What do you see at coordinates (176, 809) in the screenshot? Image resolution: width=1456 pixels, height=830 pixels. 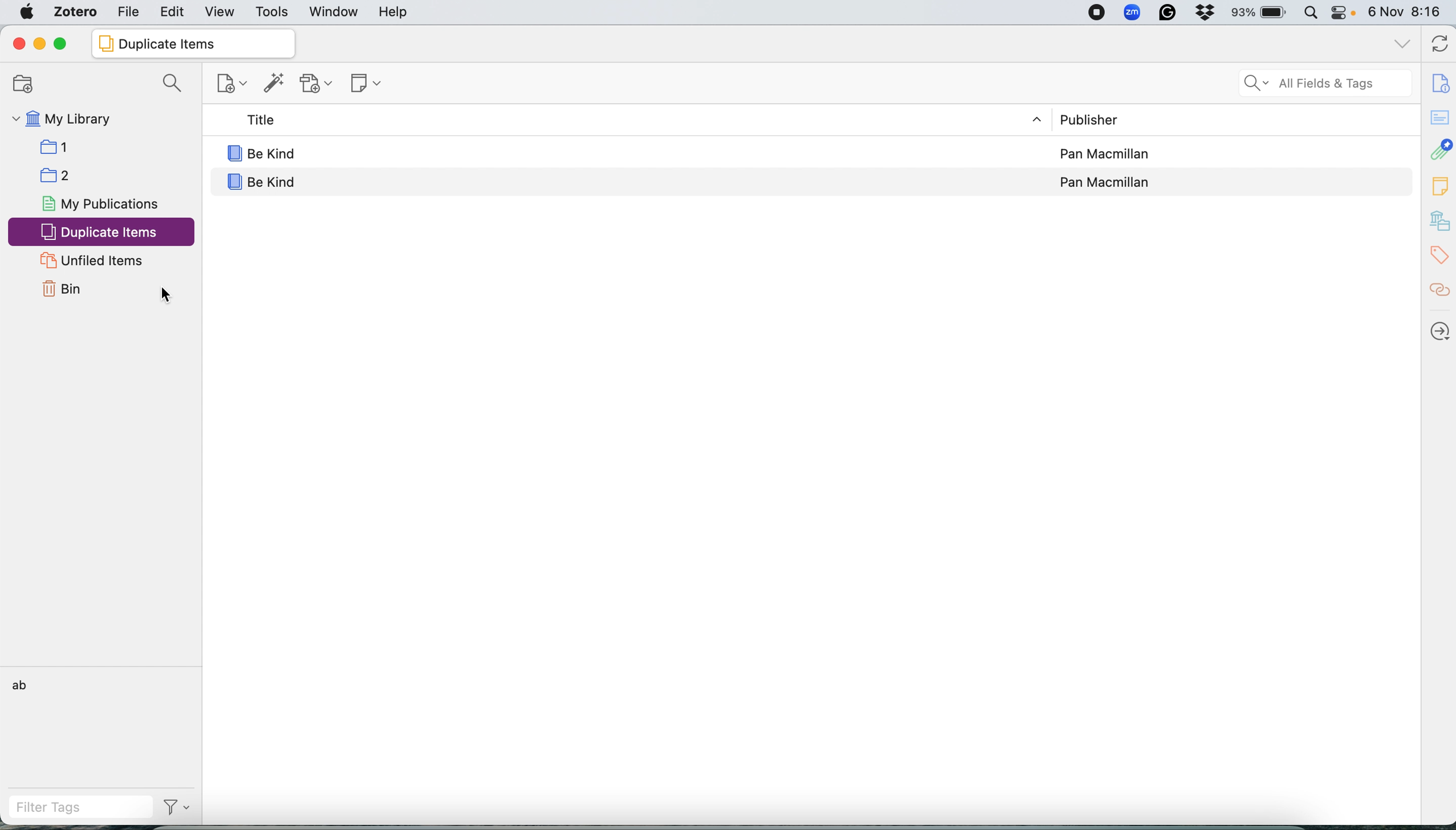 I see `Filter` at bounding box center [176, 809].